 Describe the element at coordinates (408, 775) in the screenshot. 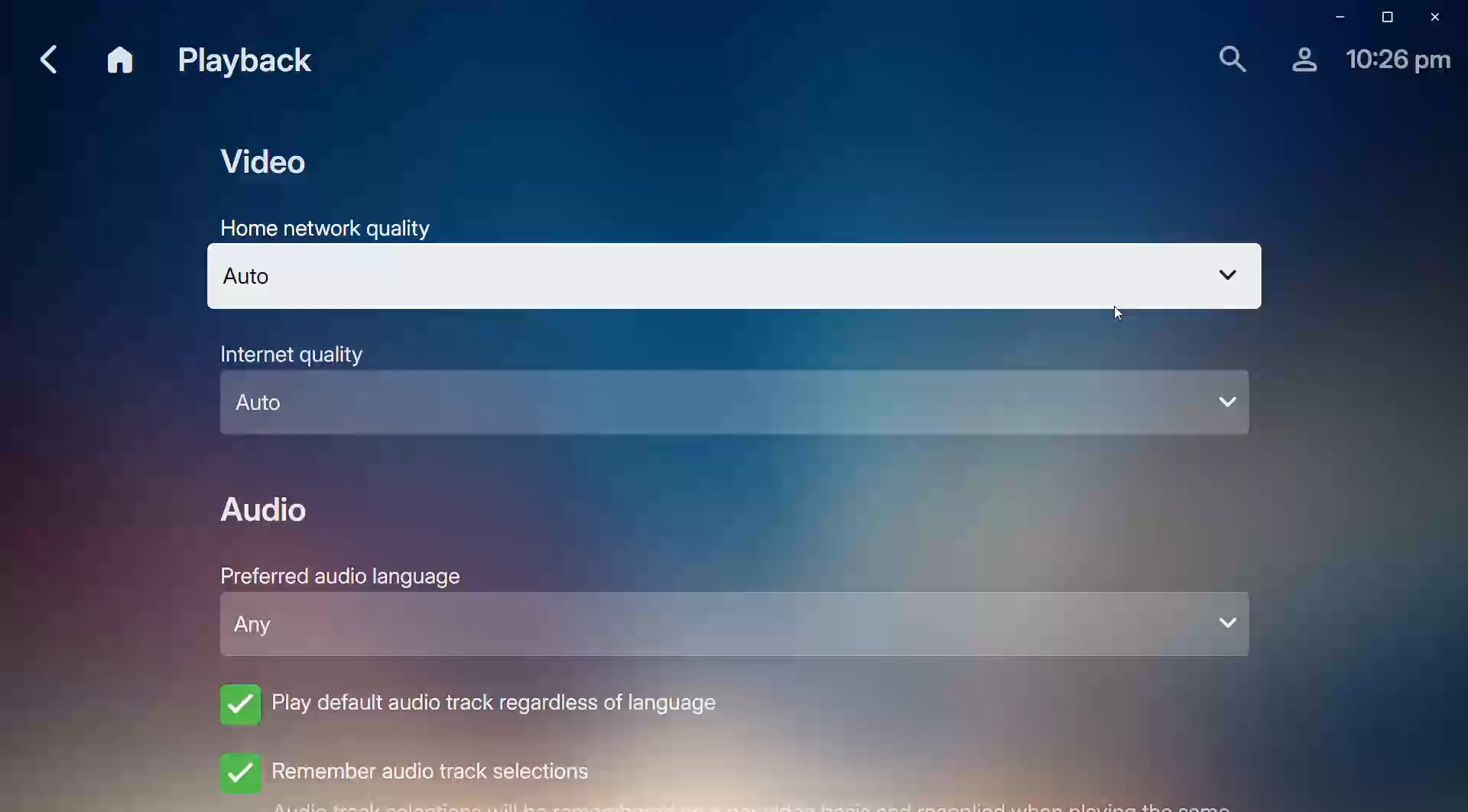

I see `Remember audio track` at that location.